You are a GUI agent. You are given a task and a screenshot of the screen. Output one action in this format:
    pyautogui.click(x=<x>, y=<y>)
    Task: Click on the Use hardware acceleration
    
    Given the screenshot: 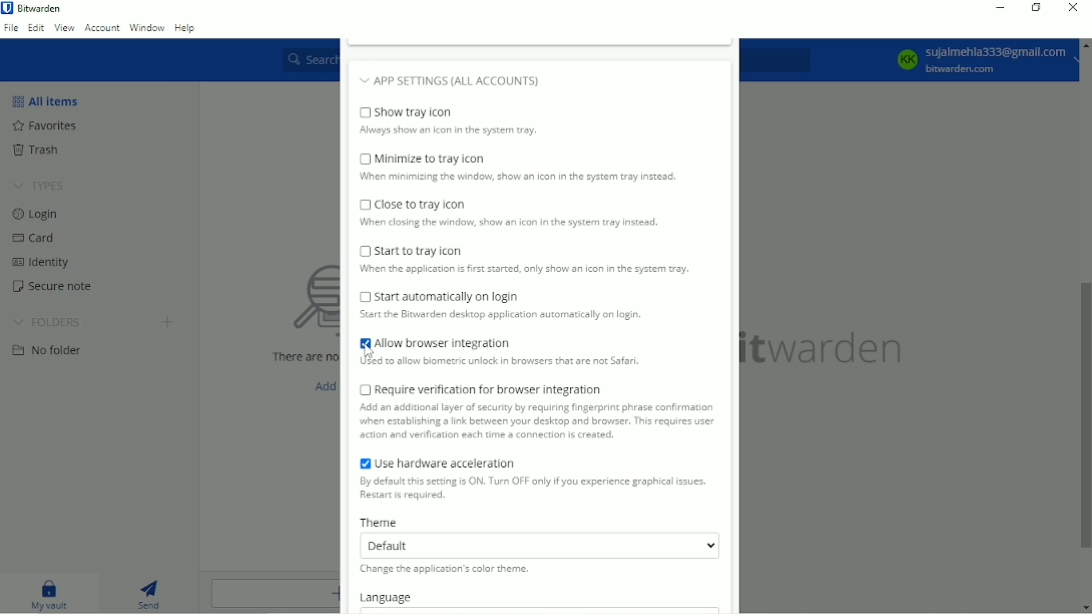 What is the action you would take?
    pyautogui.click(x=434, y=461)
    